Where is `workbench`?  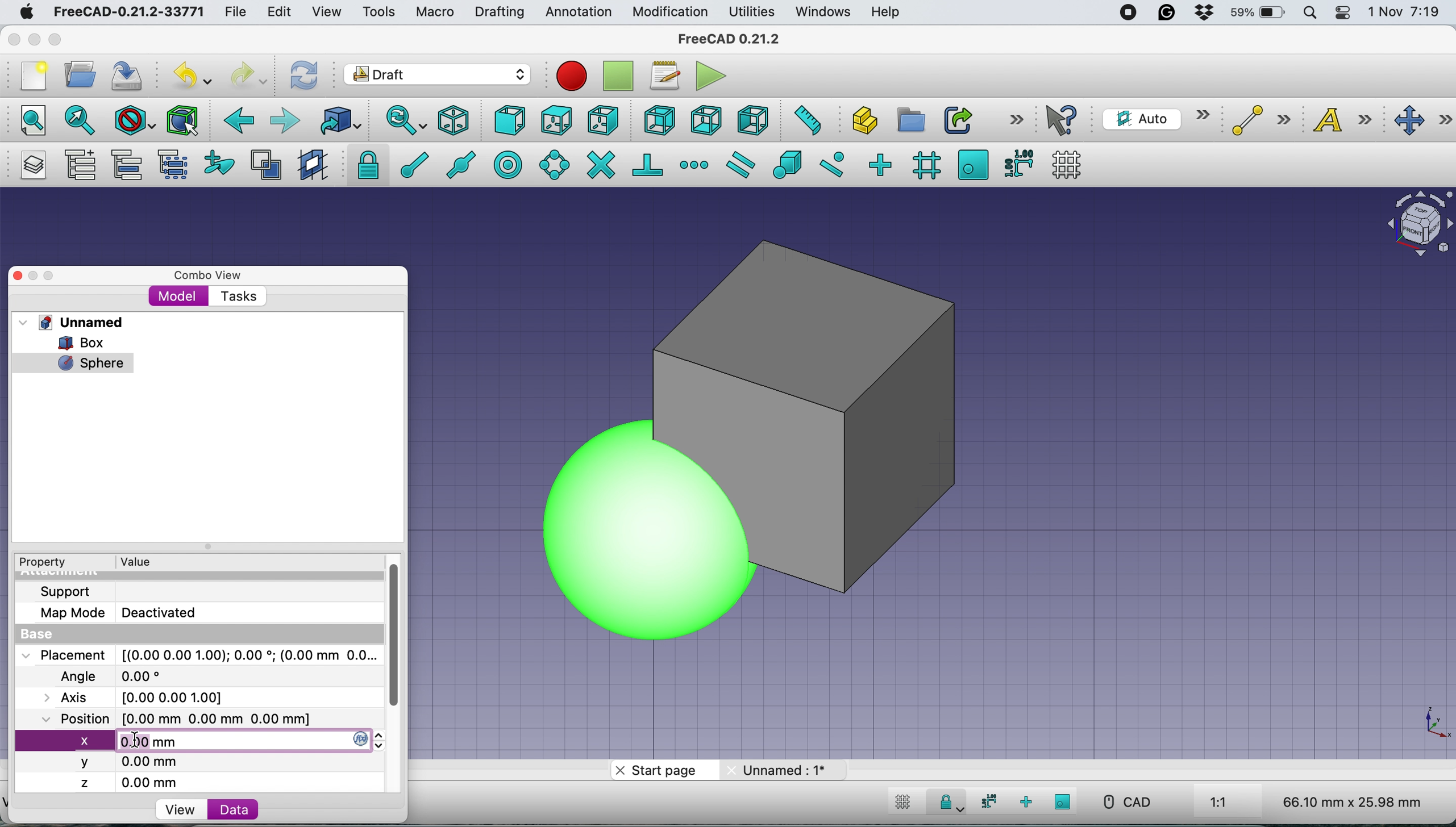
workbench is located at coordinates (438, 76).